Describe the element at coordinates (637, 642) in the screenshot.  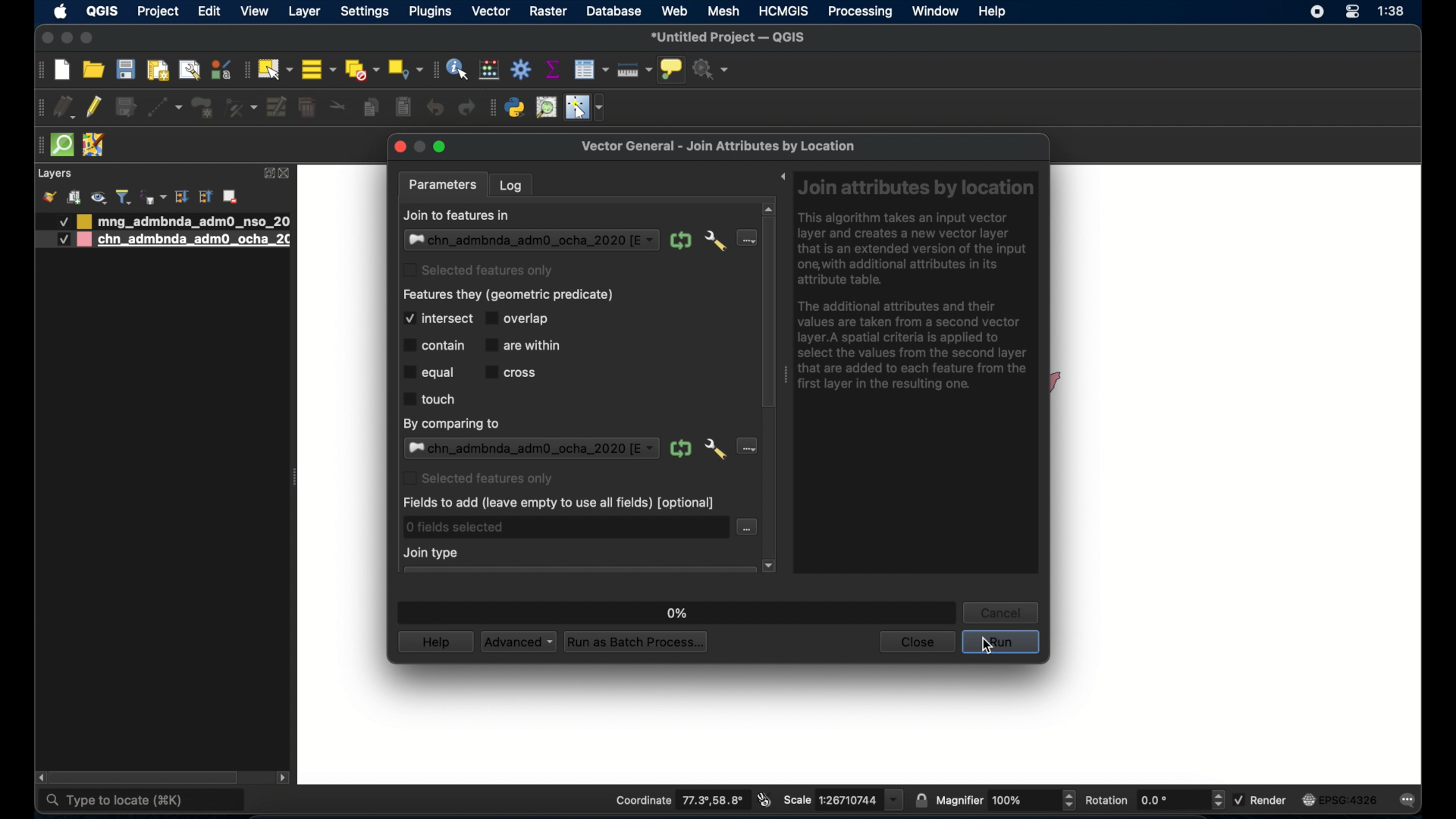
I see `run as batch process` at that location.